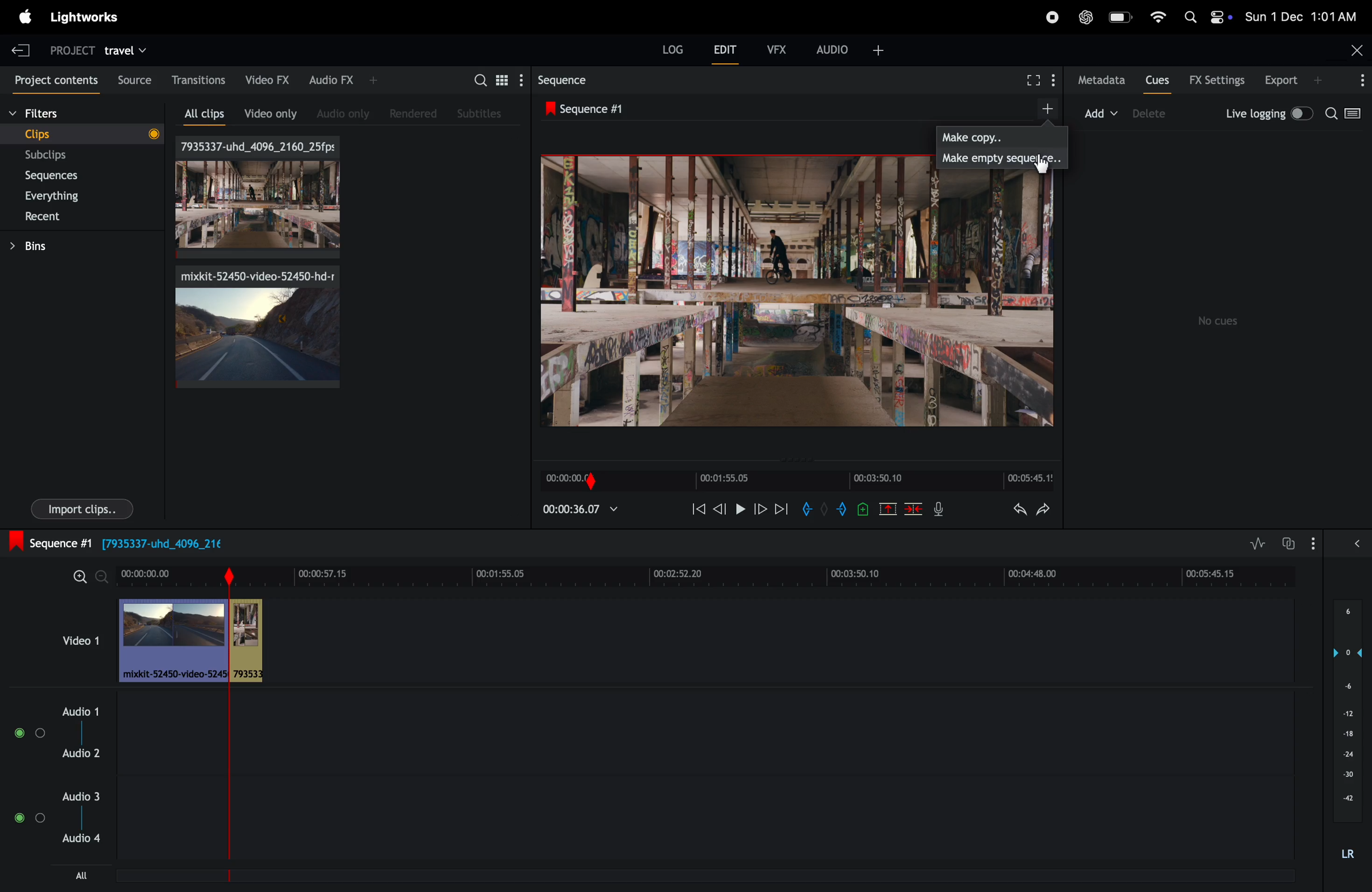 This screenshot has height=892, width=1372. What do you see at coordinates (83, 755) in the screenshot?
I see `Audio 2` at bounding box center [83, 755].